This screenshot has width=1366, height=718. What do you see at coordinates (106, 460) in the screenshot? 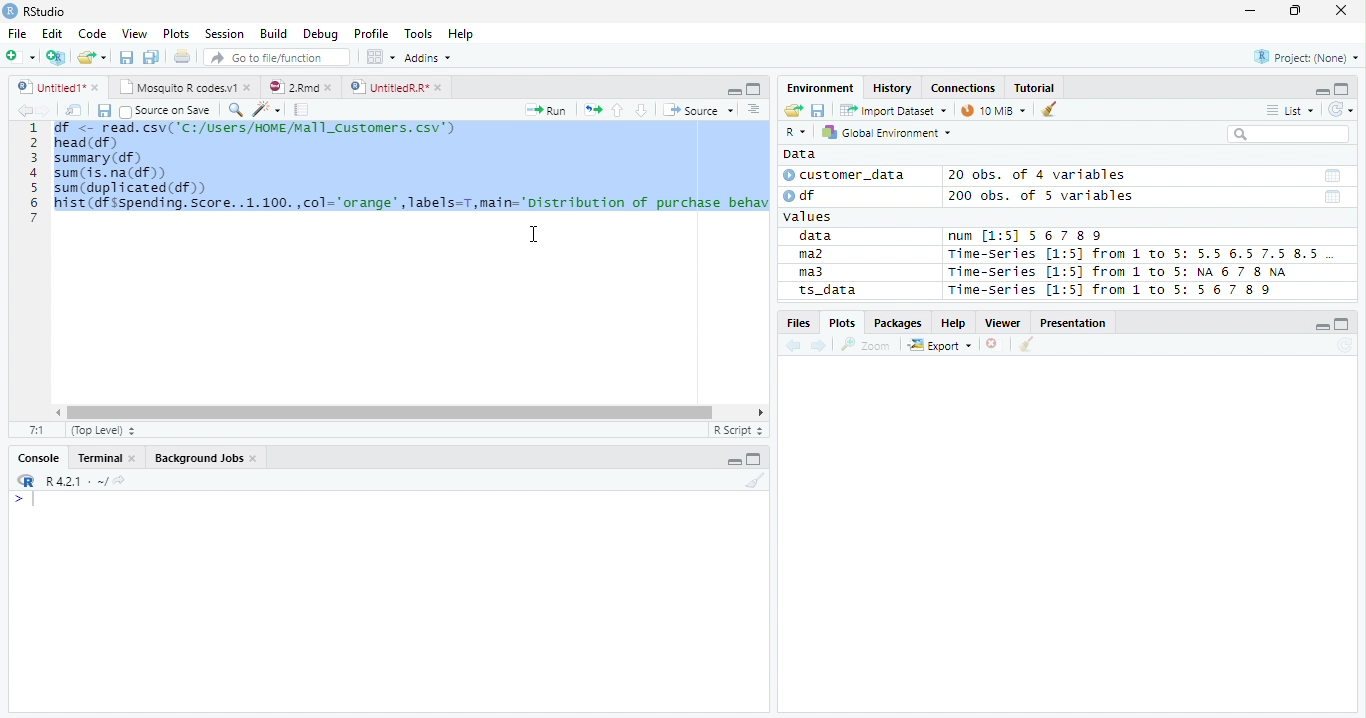
I see `Terminal` at bounding box center [106, 460].